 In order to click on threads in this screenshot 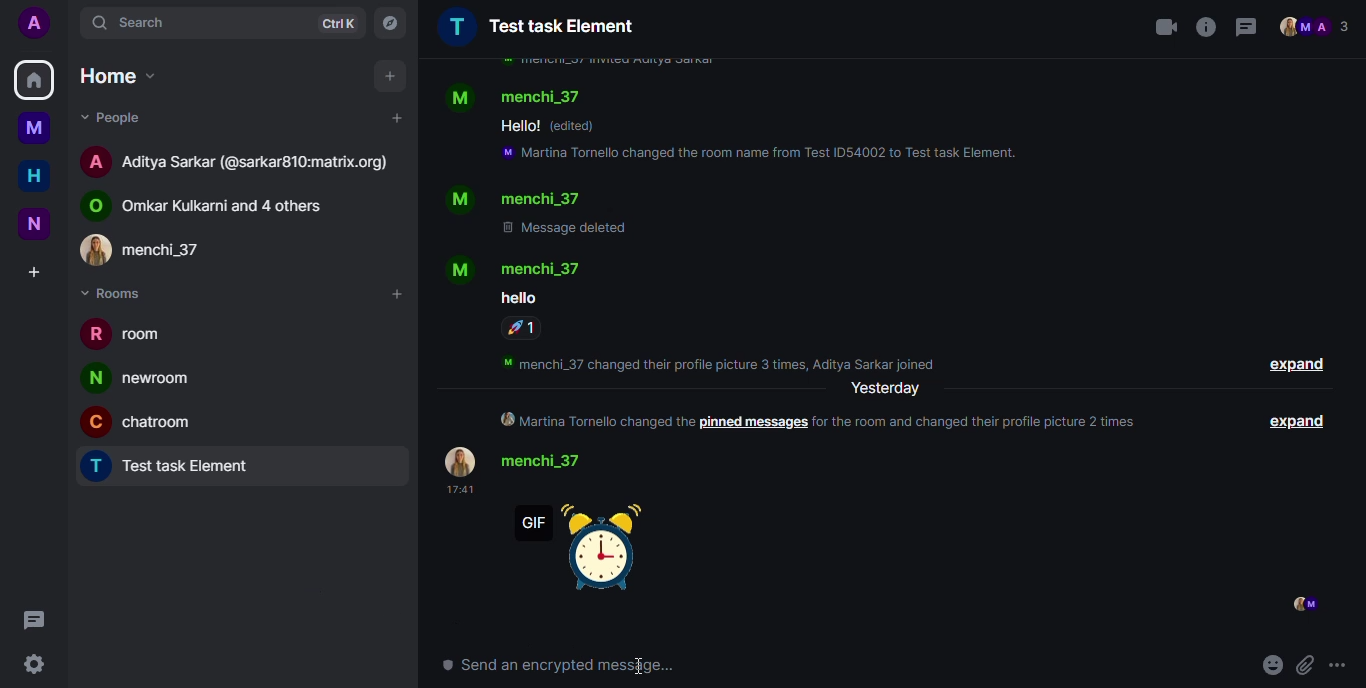, I will do `click(1246, 27)`.